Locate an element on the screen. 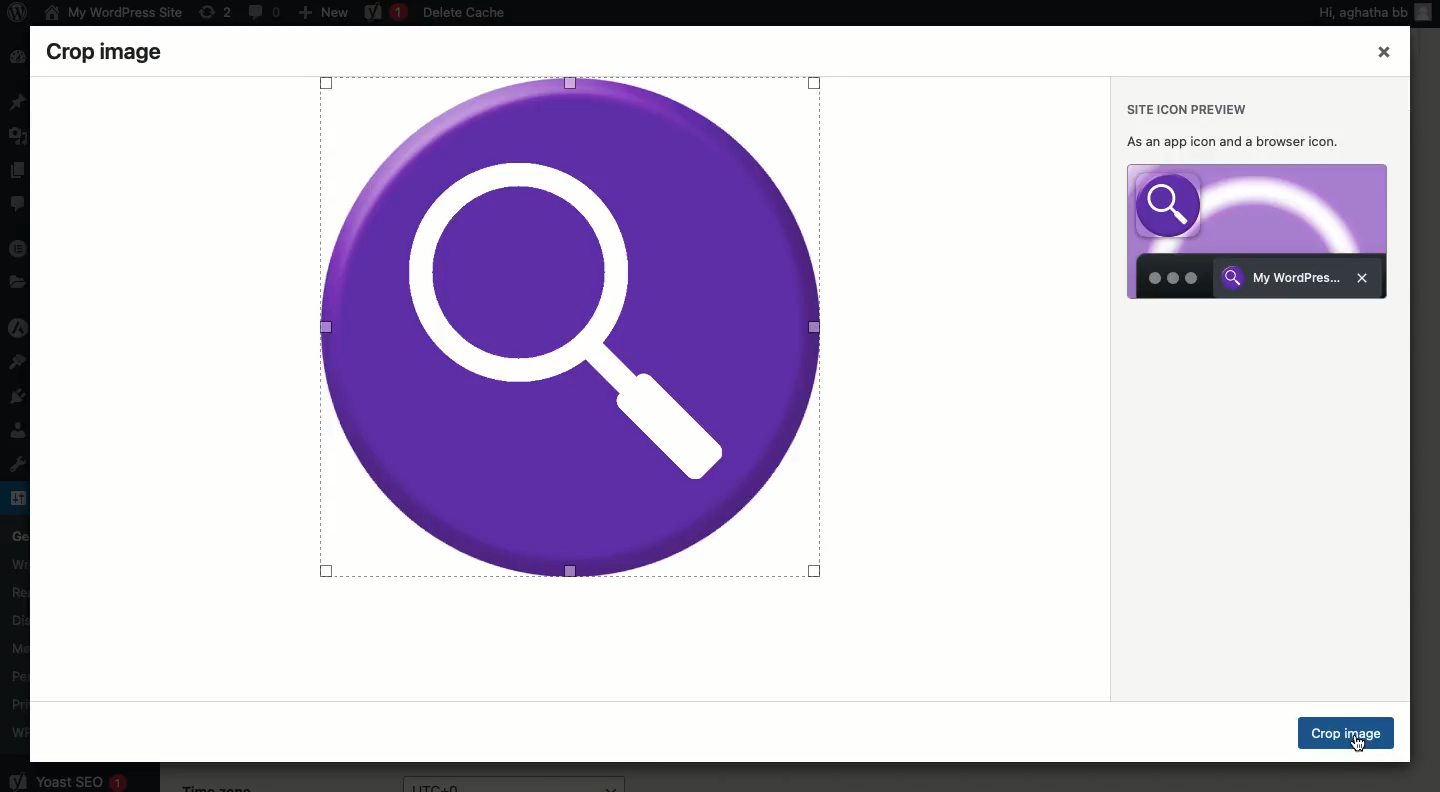  Close is located at coordinates (1383, 53).